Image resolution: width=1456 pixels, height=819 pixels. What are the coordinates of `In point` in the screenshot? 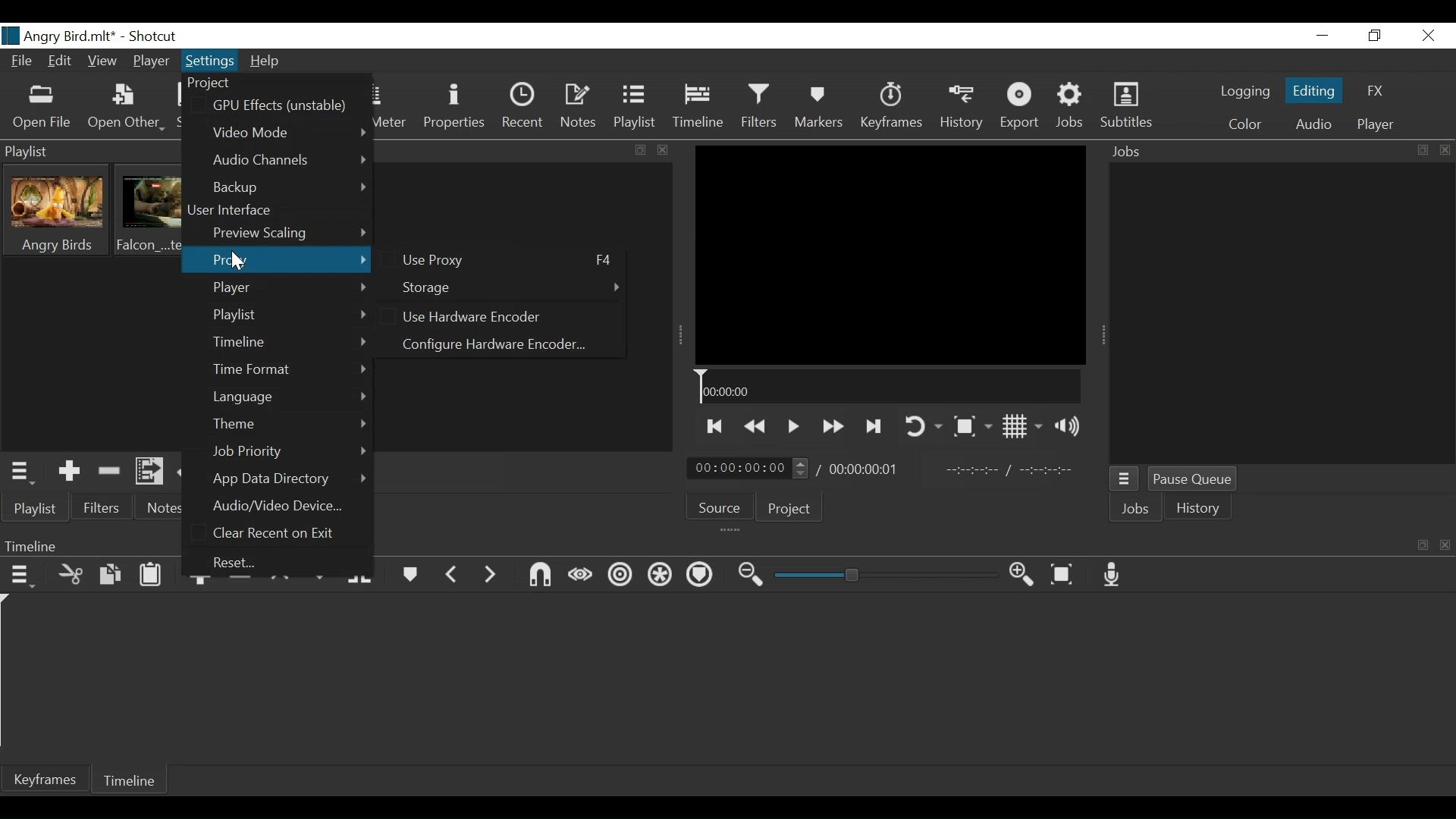 It's located at (1013, 471).